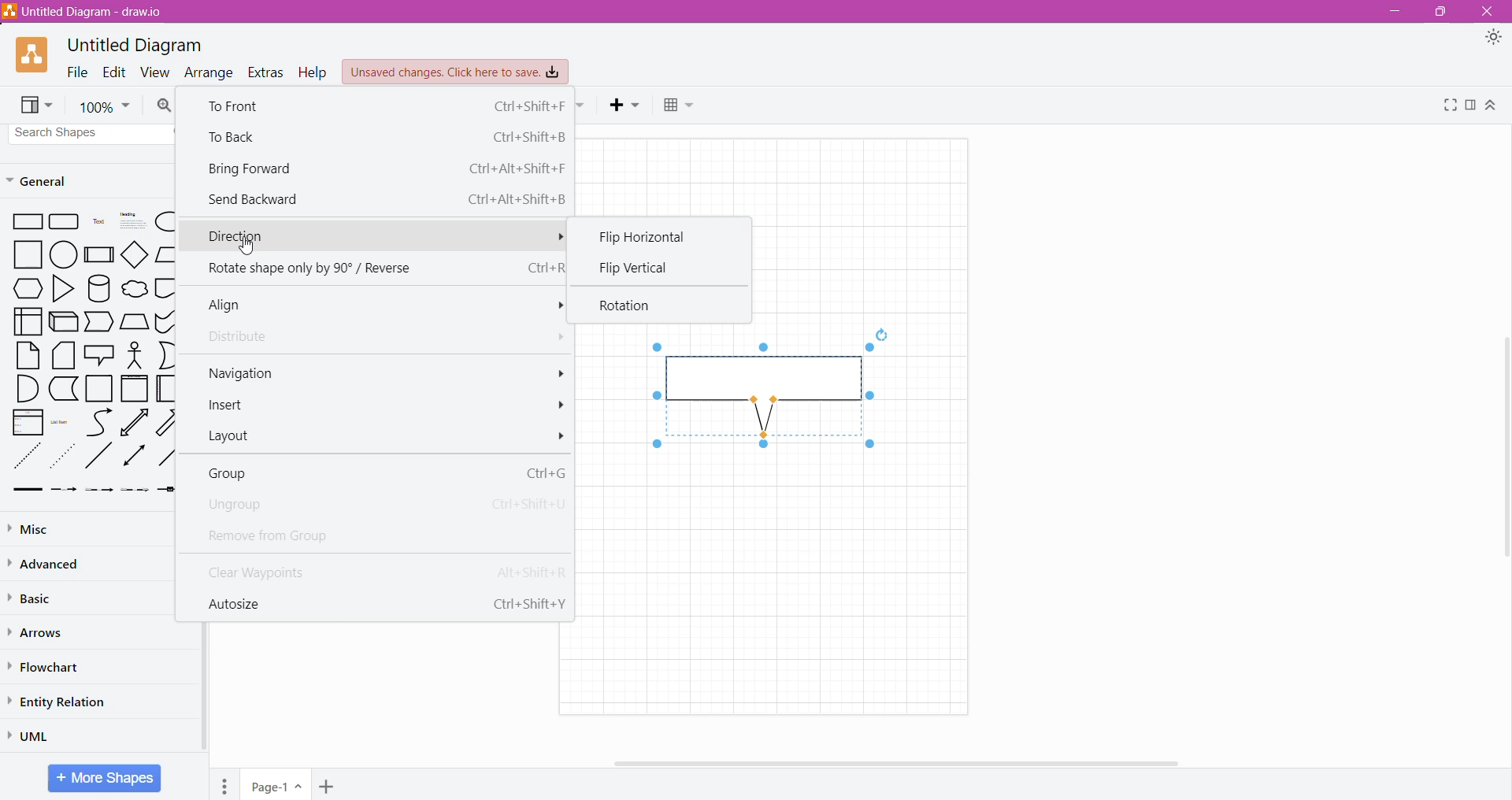 Image resolution: width=1512 pixels, height=800 pixels. Describe the element at coordinates (28, 355) in the screenshot. I see `Paper Sheet` at that location.